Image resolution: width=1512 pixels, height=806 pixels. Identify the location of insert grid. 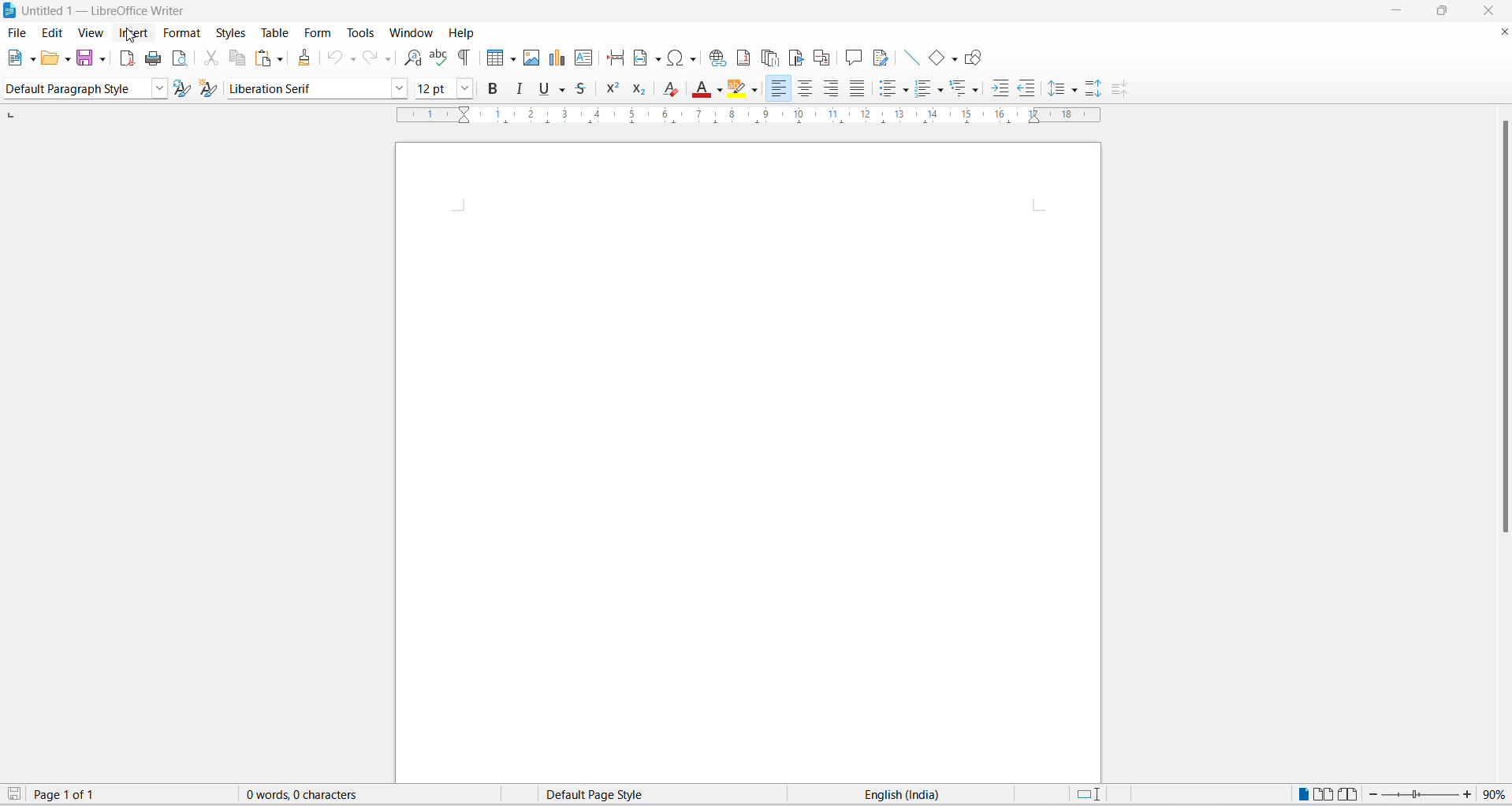
(491, 58).